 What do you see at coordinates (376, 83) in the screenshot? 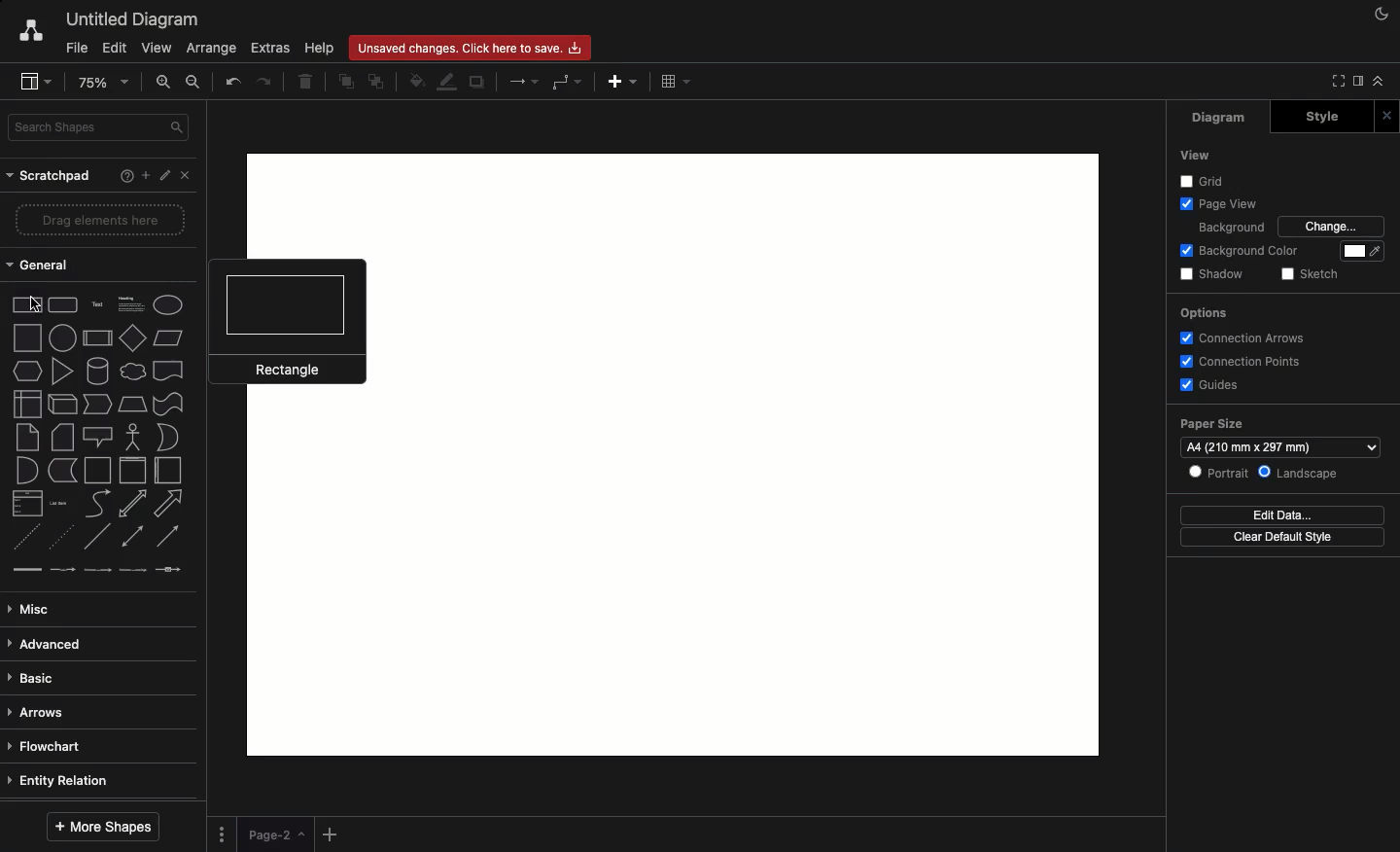
I see `To back` at bounding box center [376, 83].